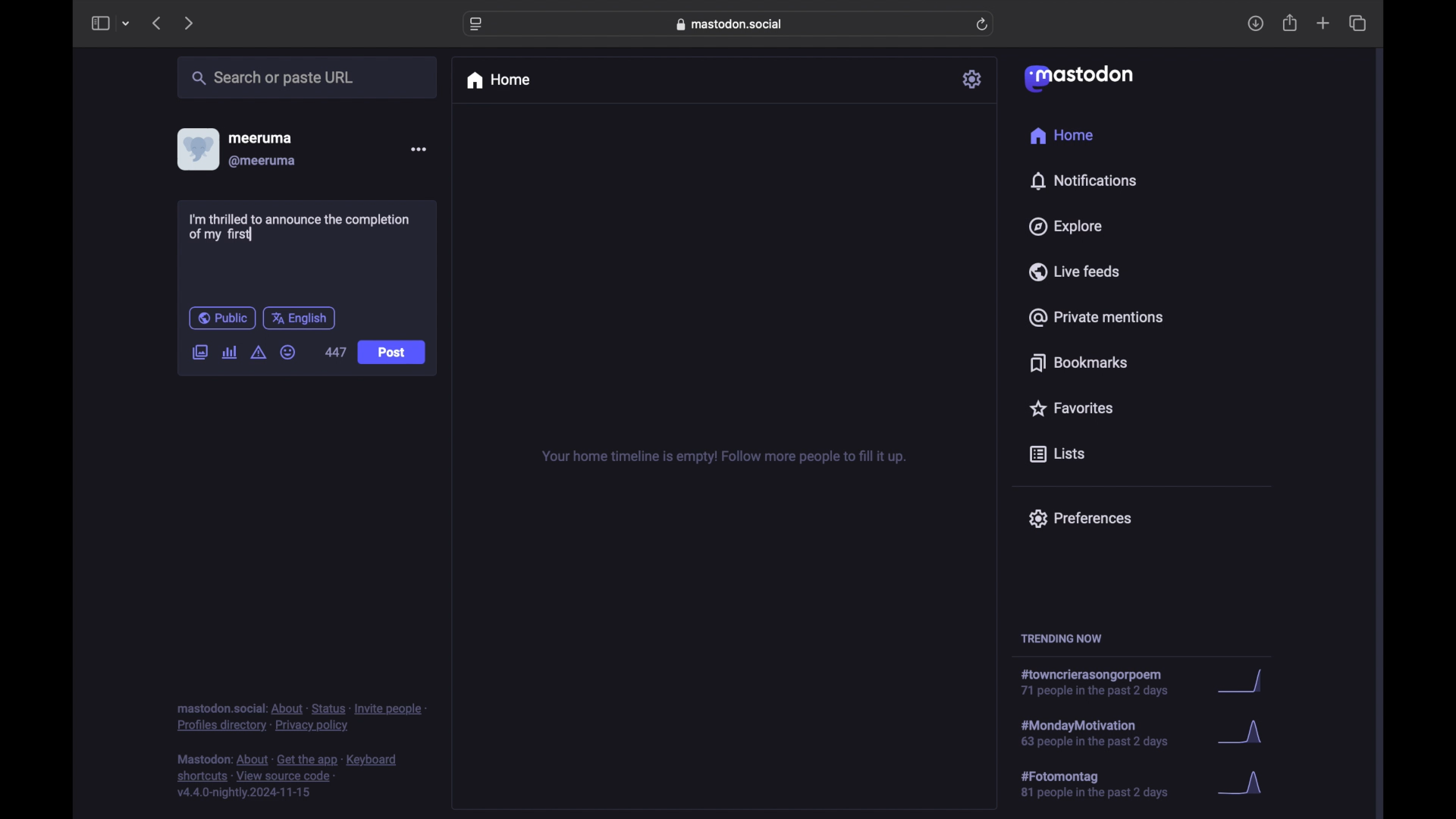 The image size is (1456, 819). What do you see at coordinates (127, 23) in the screenshot?
I see `tab group picker` at bounding box center [127, 23].